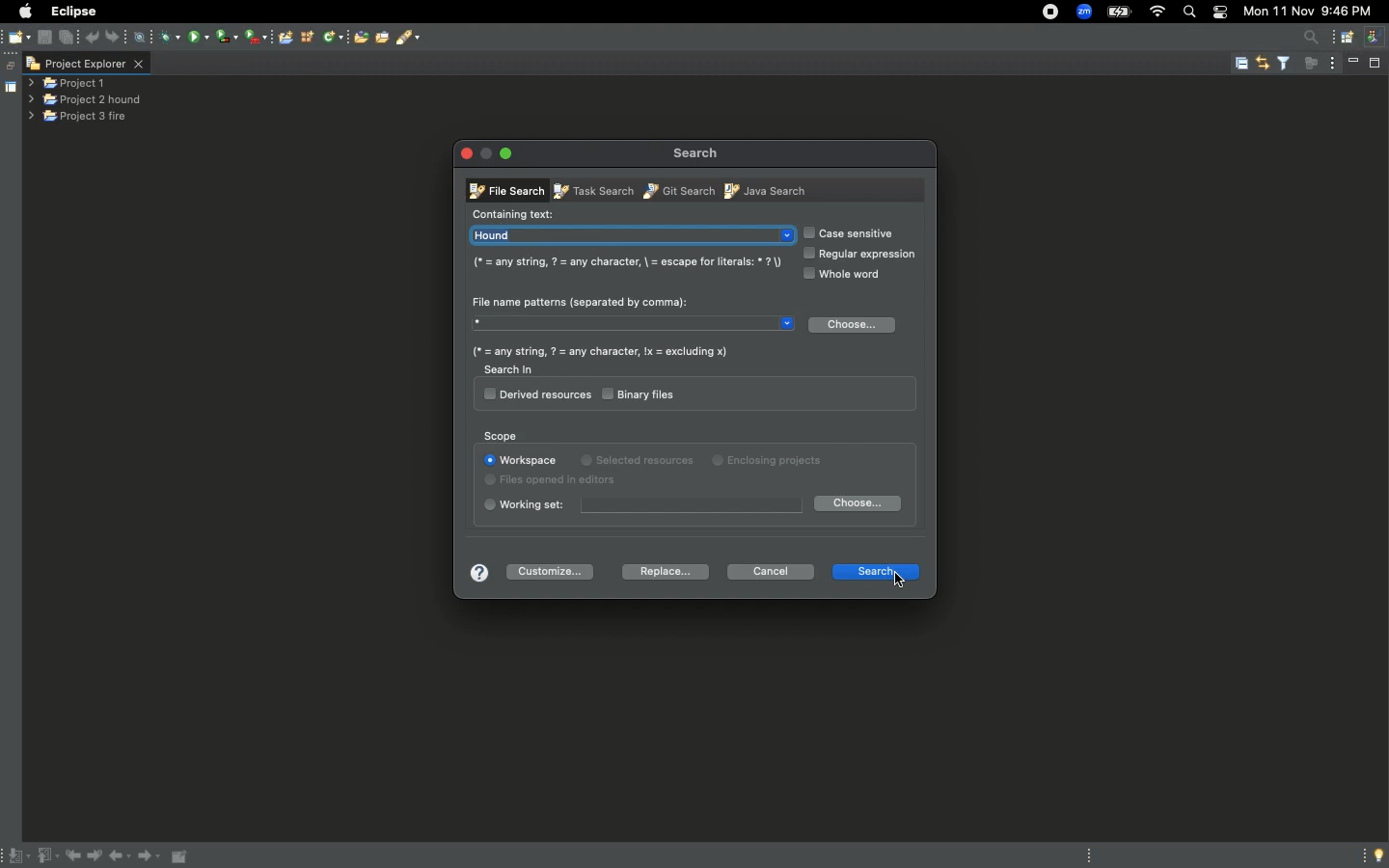  I want to click on Search in, so click(508, 369).